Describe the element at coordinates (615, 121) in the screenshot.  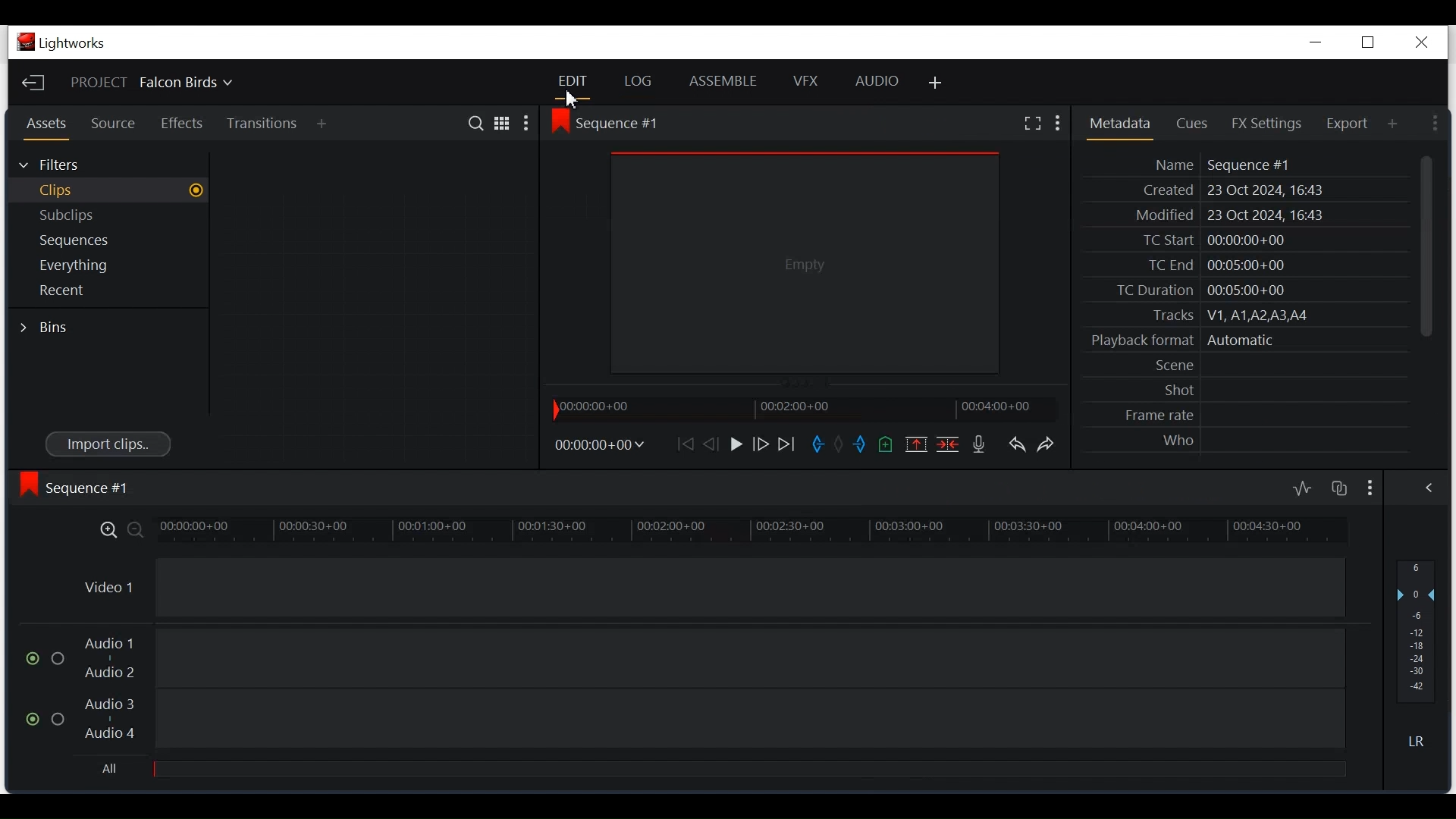
I see `Sequence View` at that location.